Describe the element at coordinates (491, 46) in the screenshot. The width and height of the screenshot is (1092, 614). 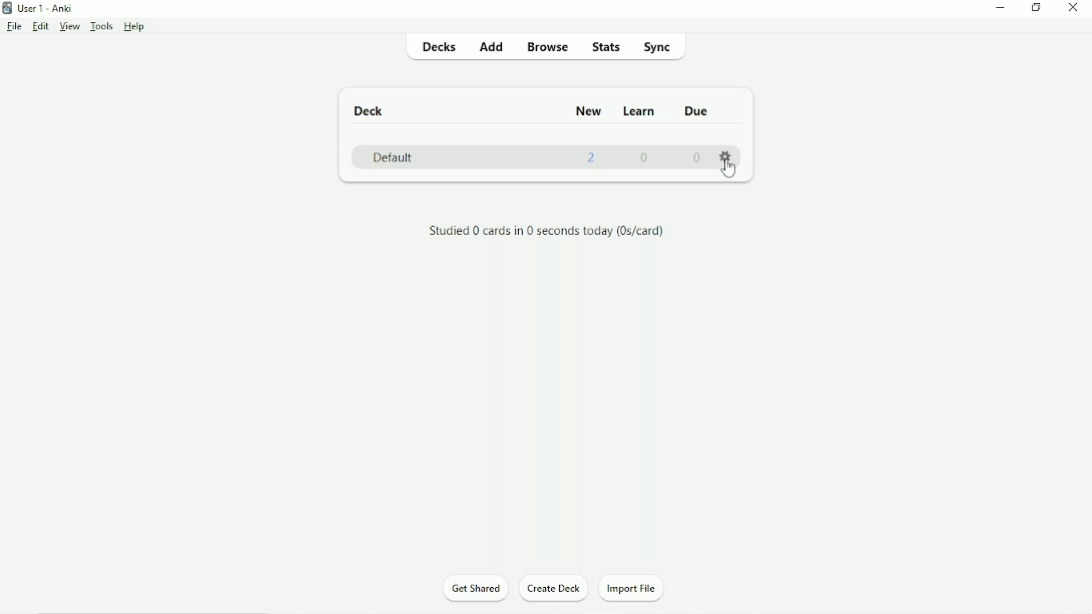
I see `Add` at that location.